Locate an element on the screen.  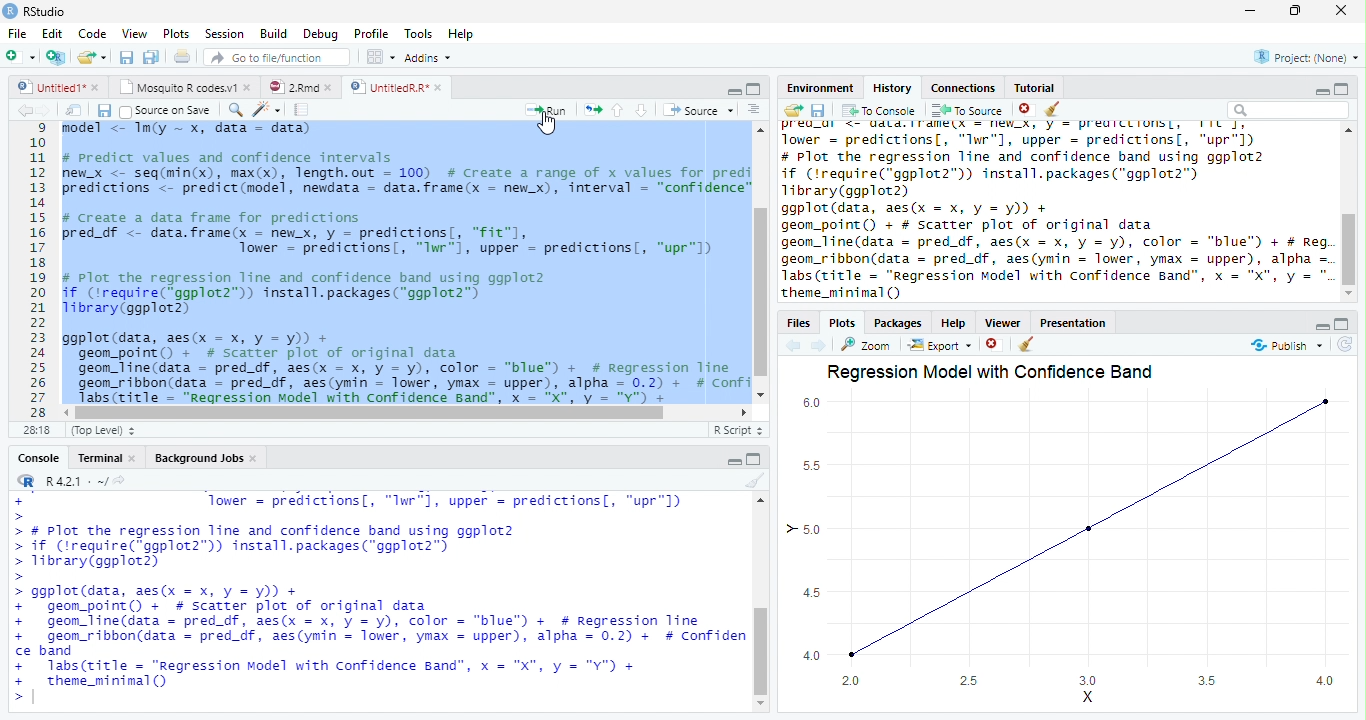
Tools is located at coordinates (421, 34).